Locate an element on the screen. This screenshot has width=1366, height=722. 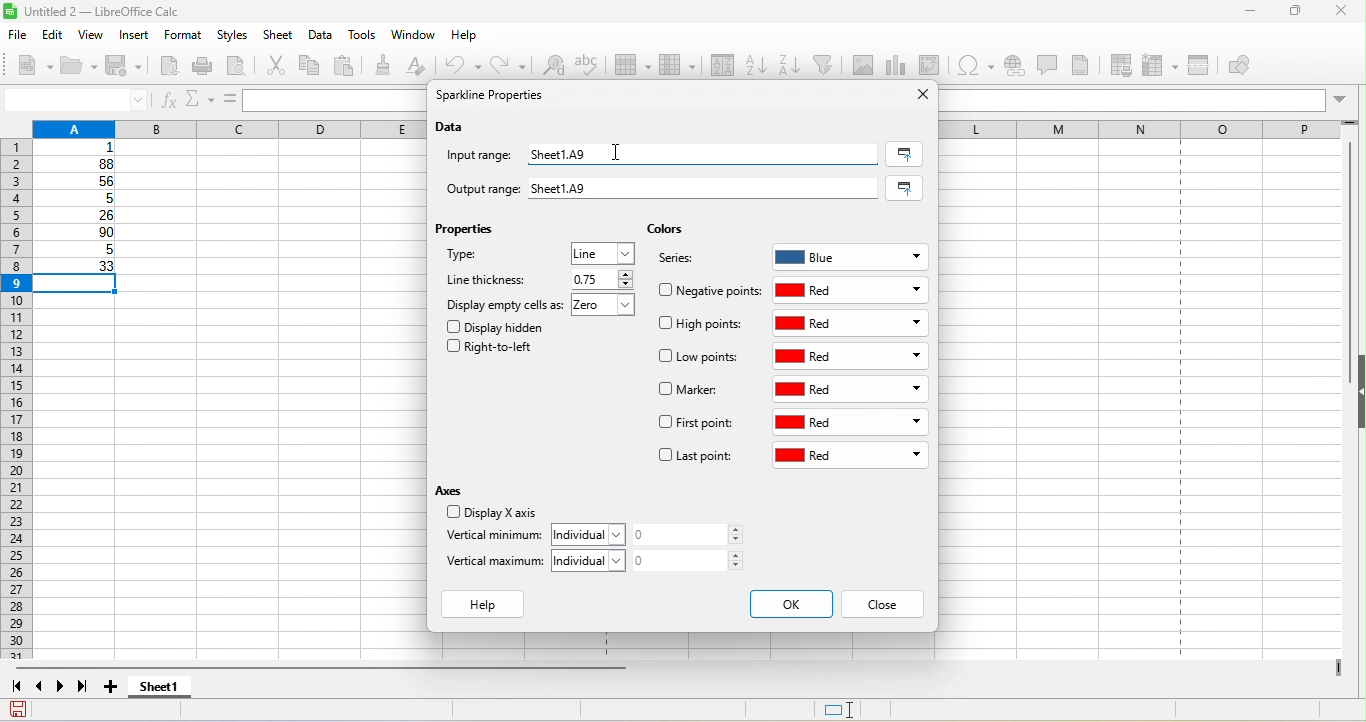
line thickness is located at coordinates (489, 279).